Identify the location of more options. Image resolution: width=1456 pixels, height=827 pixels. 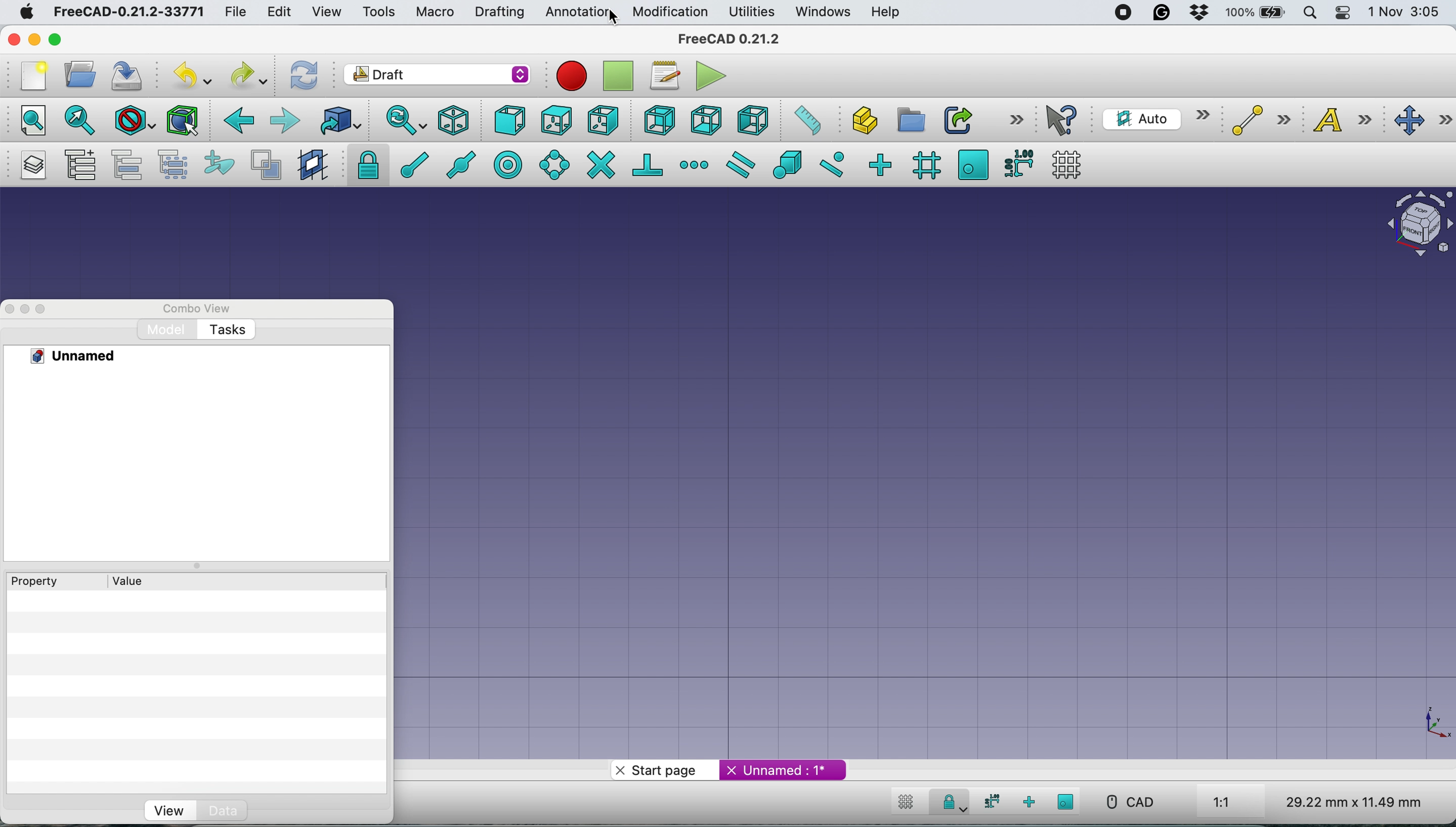
(1018, 119).